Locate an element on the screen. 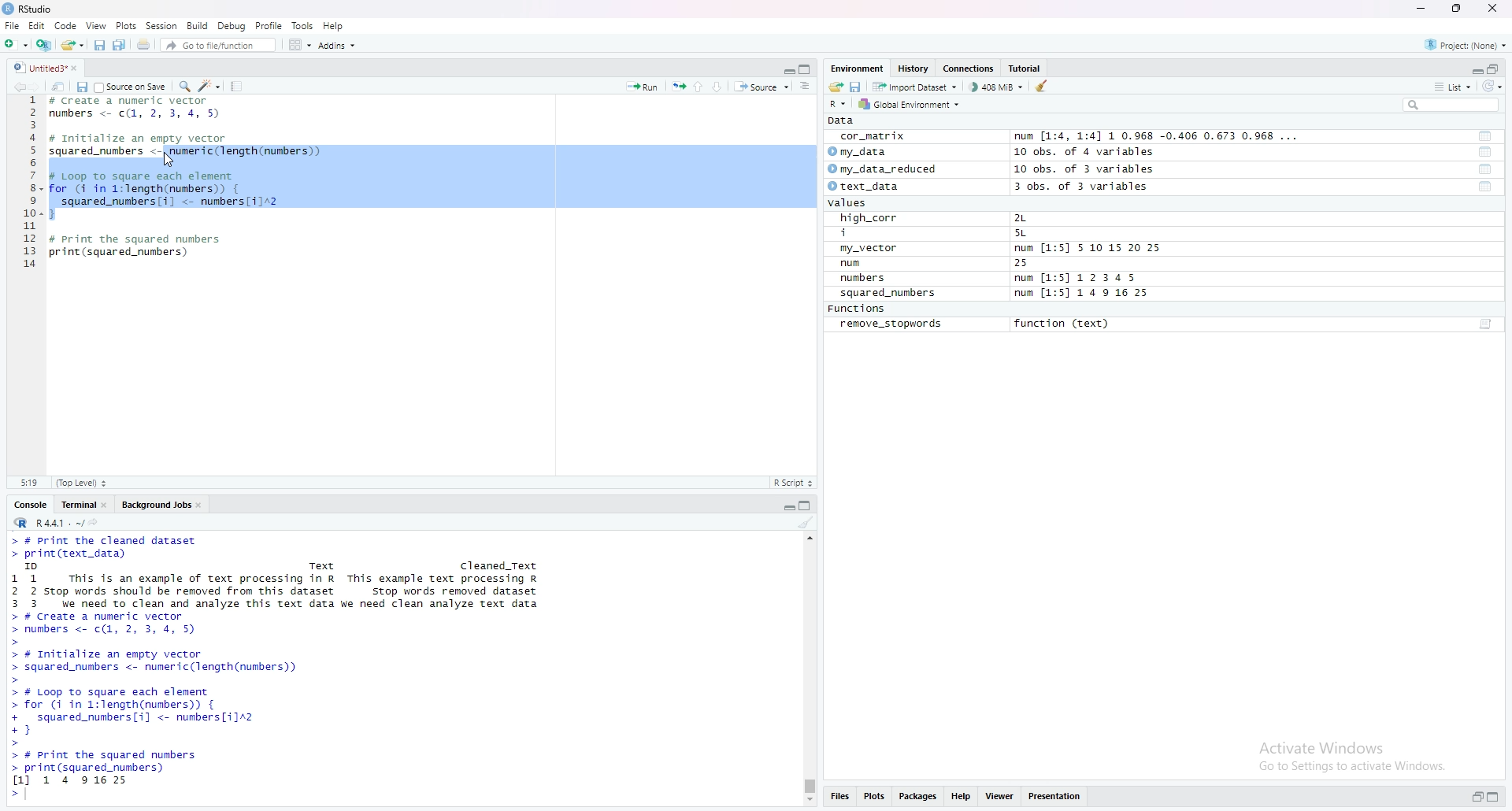  © text_data is located at coordinates (865, 187).